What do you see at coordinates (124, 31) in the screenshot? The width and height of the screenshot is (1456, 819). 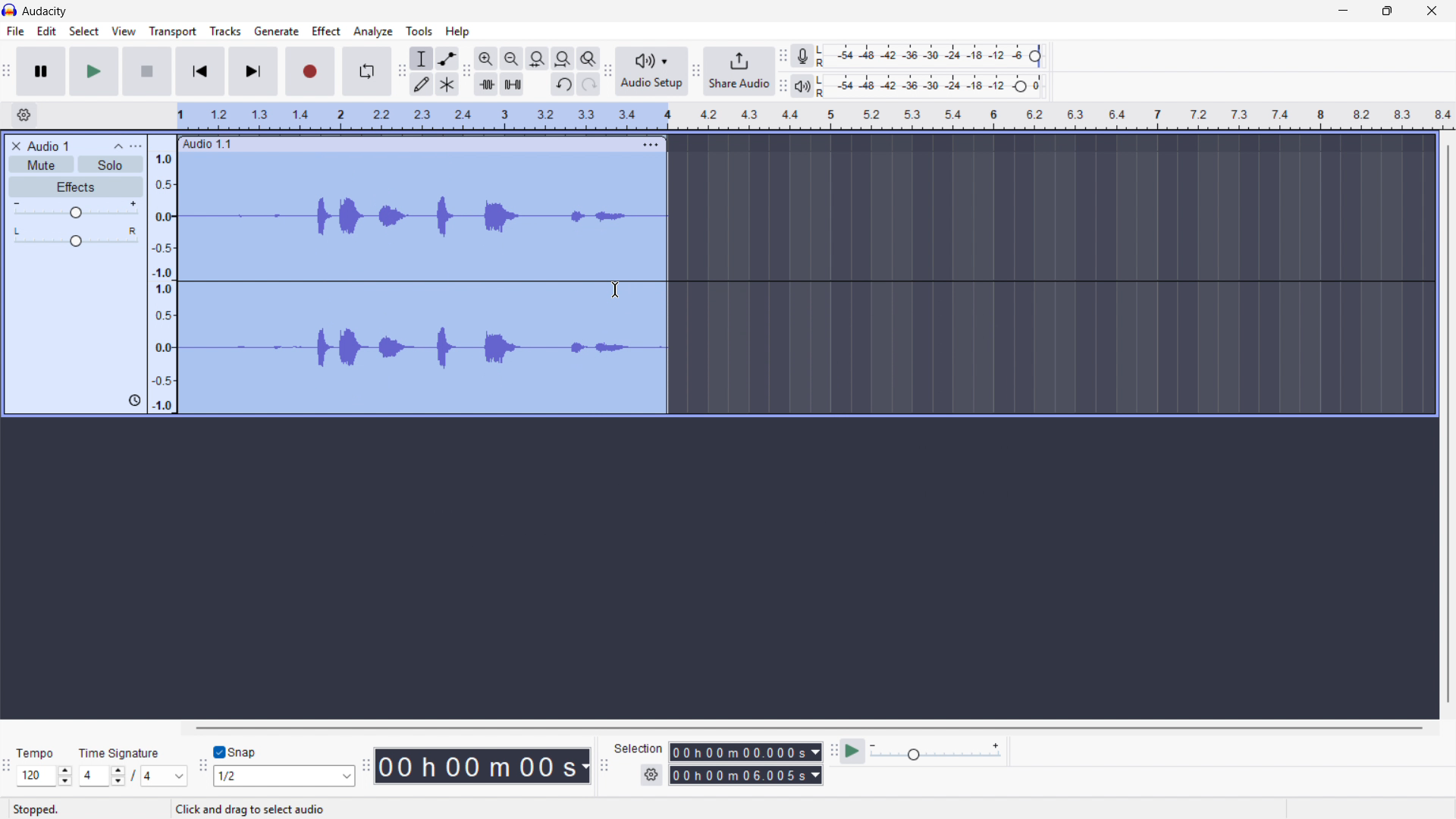 I see `View ` at bounding box center [124, 31].